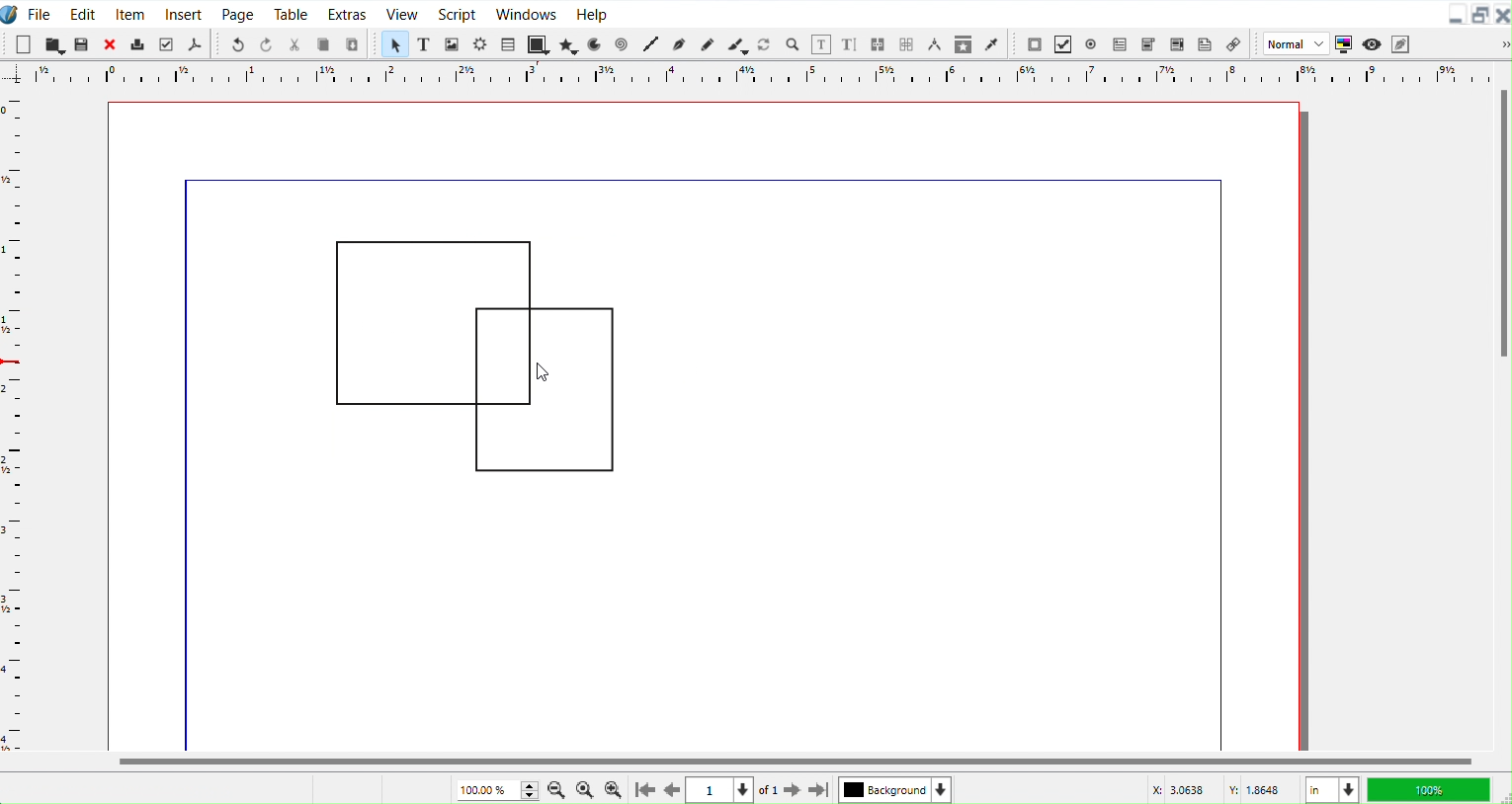 The image size is (1512, 804). Describe the element at coordinates (1294, 43) in the screenshot. I see `Normal` at that location.